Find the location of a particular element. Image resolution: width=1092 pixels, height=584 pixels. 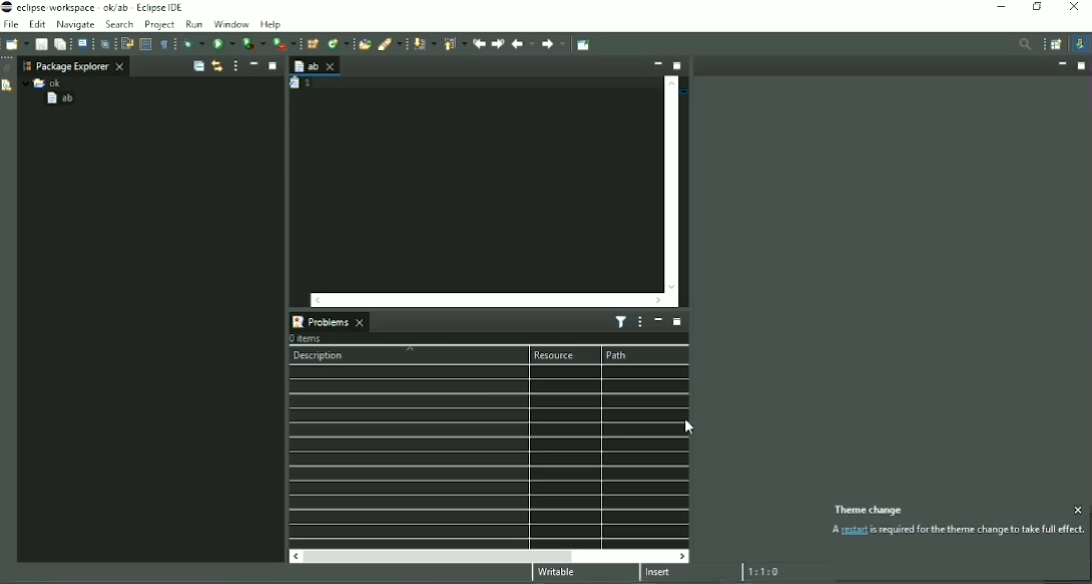

Toggle Block Selection is located at coordinates (146, 44).